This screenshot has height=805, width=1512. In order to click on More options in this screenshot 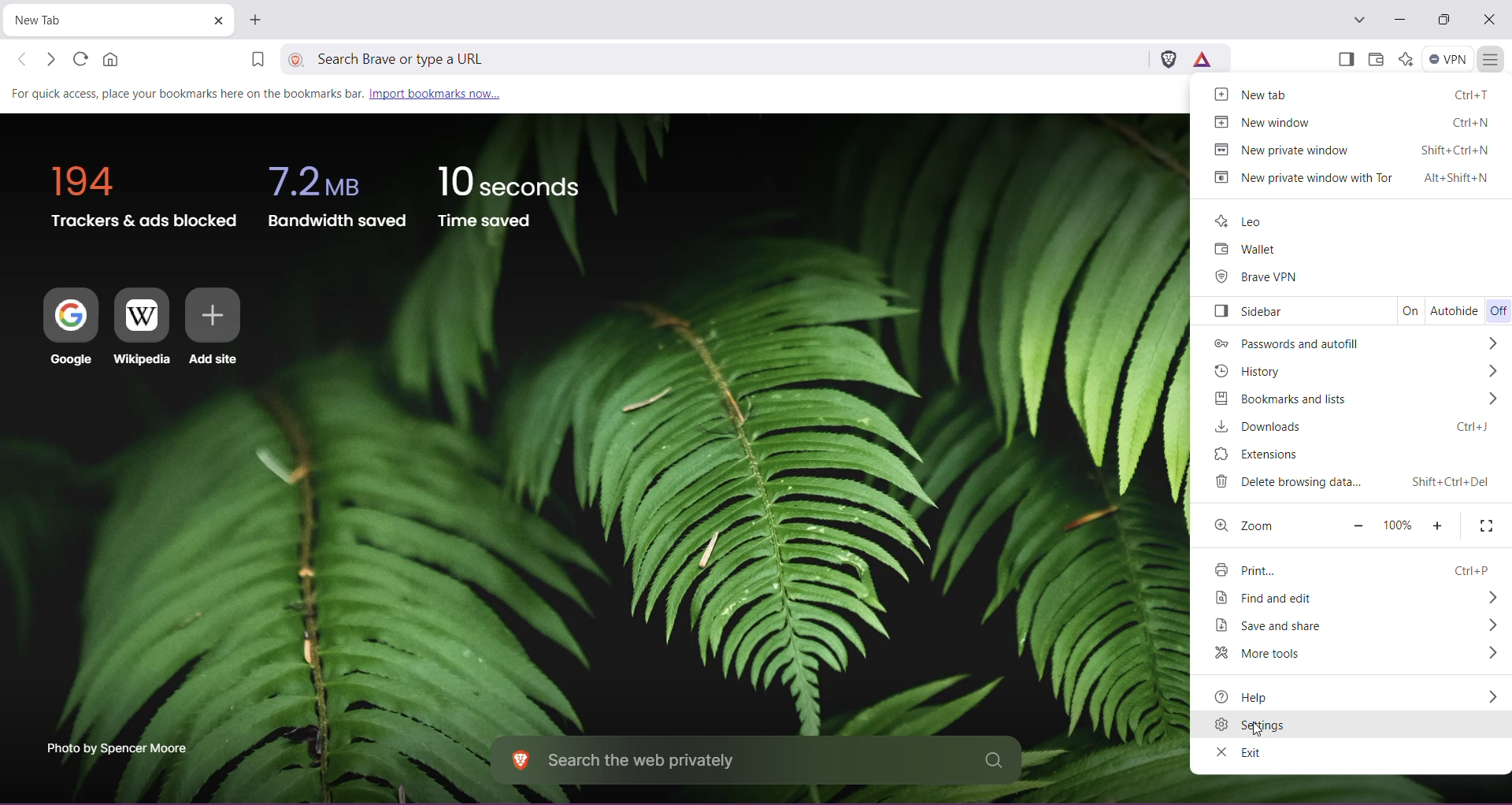, I will do `click(1490, 399)`.